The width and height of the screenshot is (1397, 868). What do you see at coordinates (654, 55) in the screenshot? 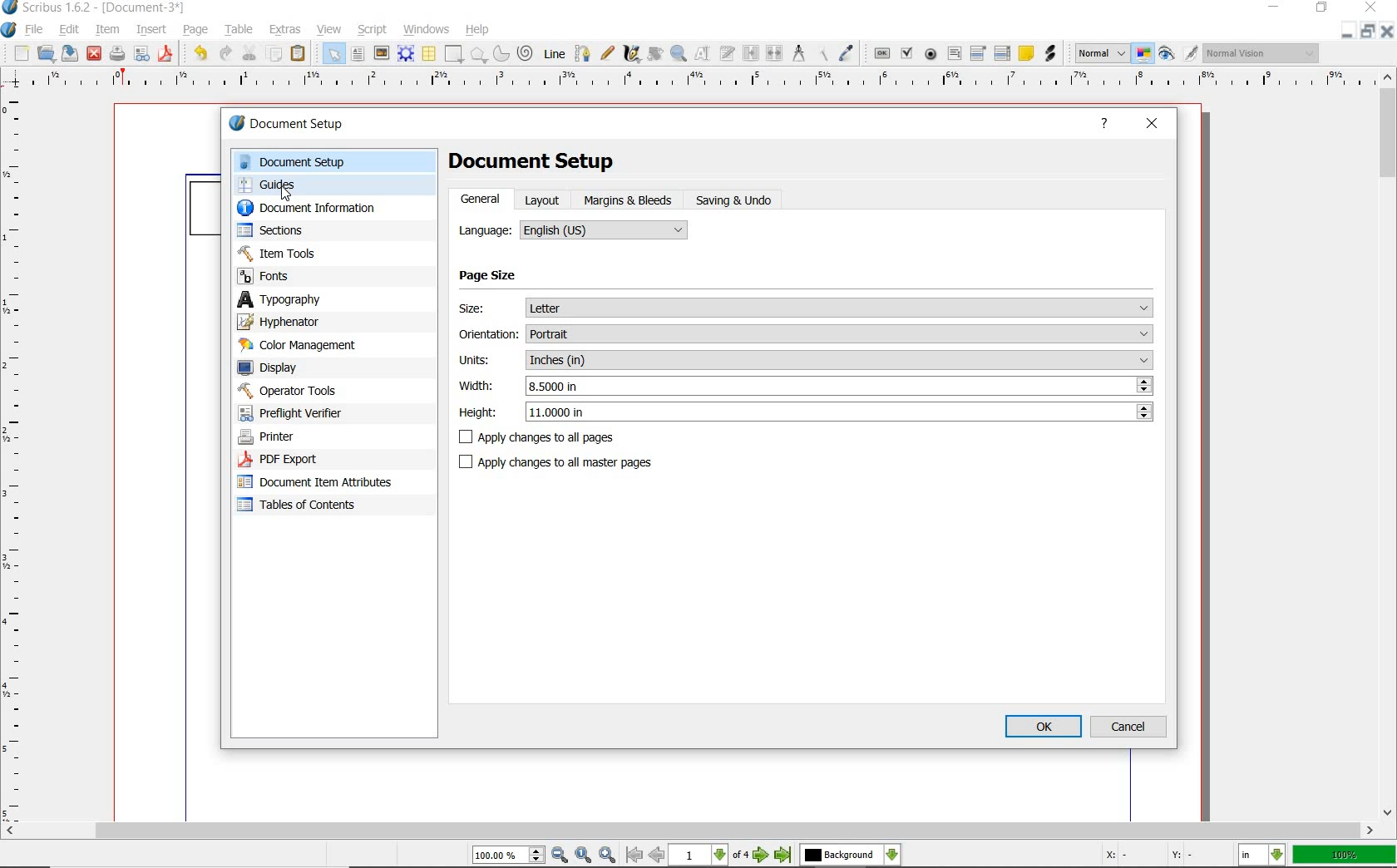
I see `rotate item` at bounding box center [654, 55].